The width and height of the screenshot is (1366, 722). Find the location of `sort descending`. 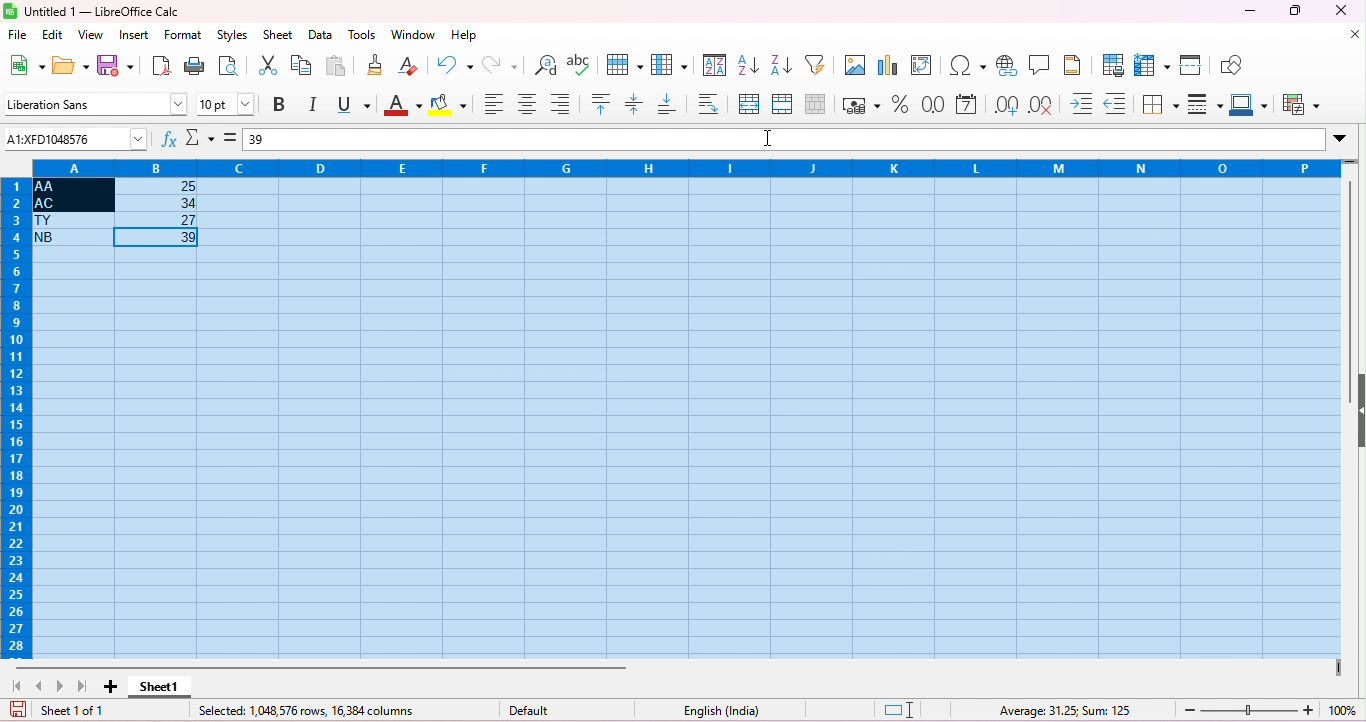

sort descending is located at coordinates (781, 63).